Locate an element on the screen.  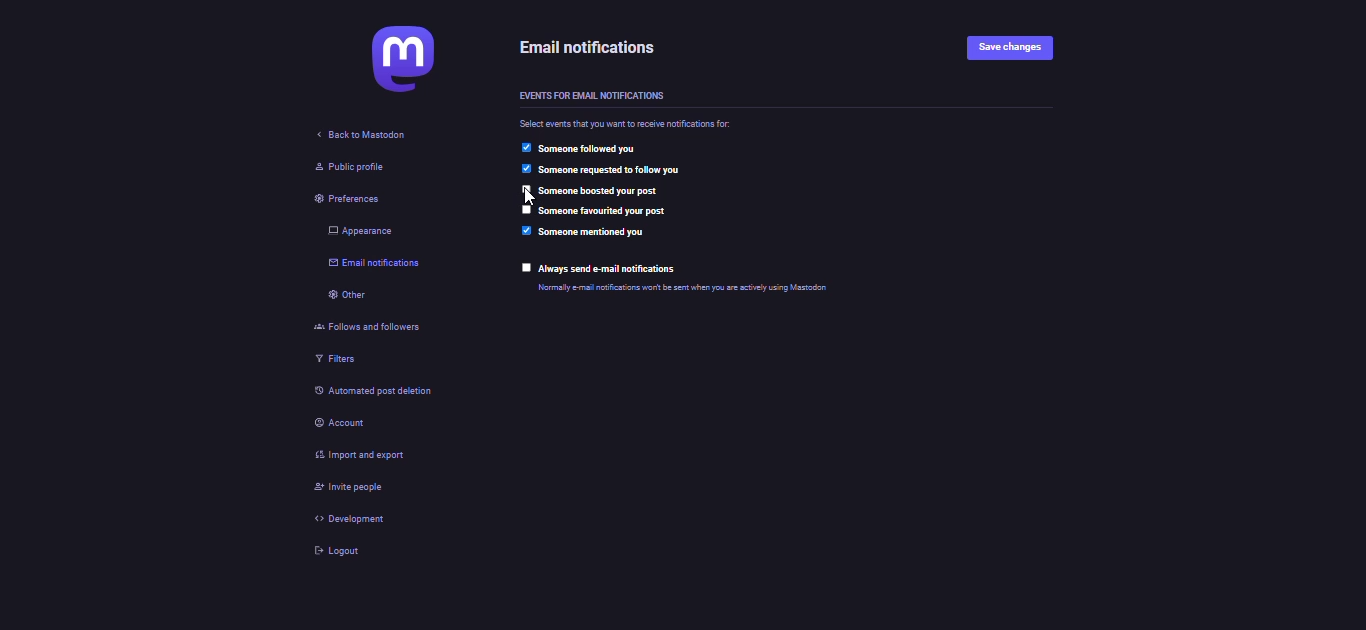
public profile is located at coordinates (342, 167).